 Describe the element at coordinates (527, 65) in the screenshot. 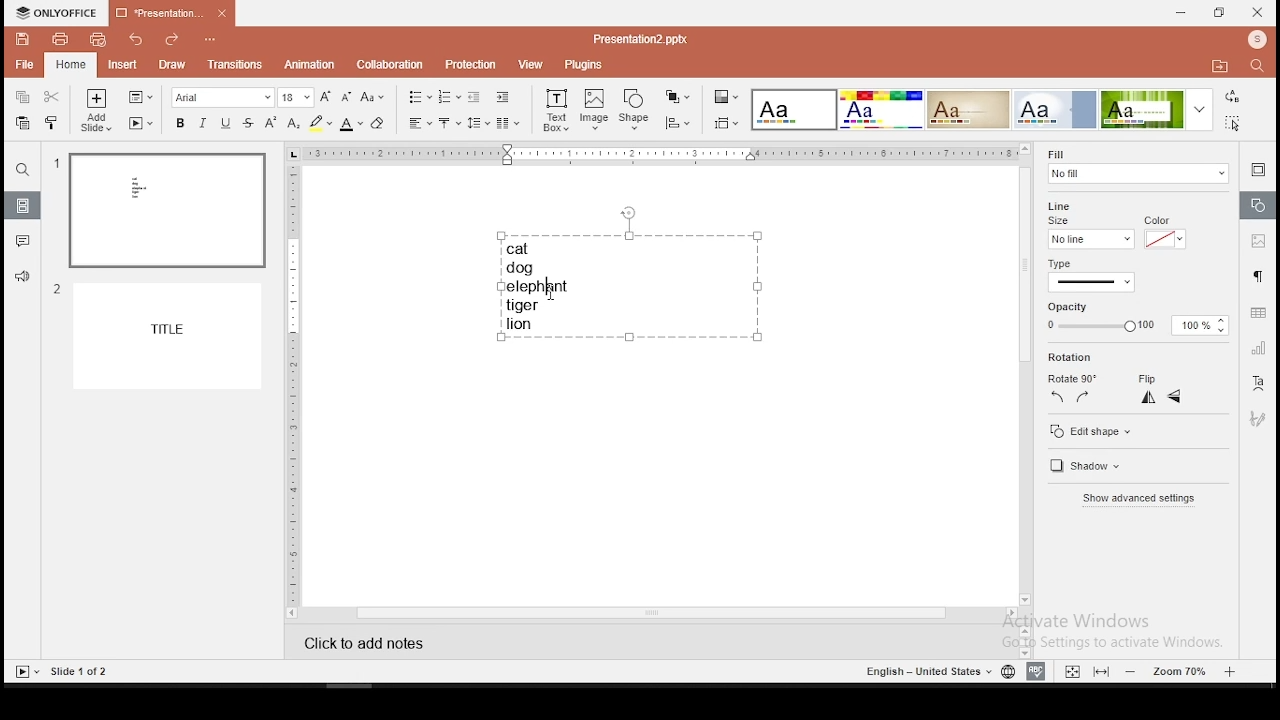

I see `view` at that location.